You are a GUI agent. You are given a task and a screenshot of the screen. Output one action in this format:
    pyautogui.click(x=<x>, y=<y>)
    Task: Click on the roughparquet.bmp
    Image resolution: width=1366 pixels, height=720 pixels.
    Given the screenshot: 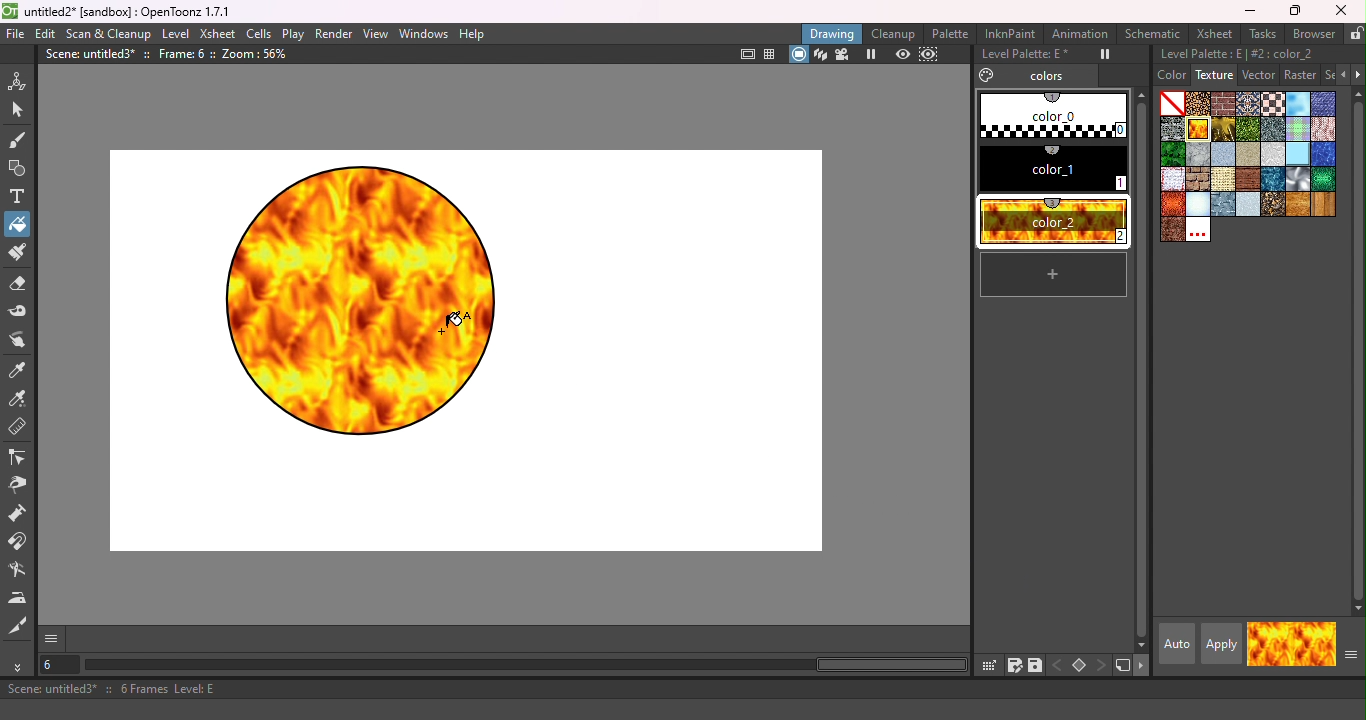 What is the action you would take?
    pyautogui.click(x=1249, y=180)
    